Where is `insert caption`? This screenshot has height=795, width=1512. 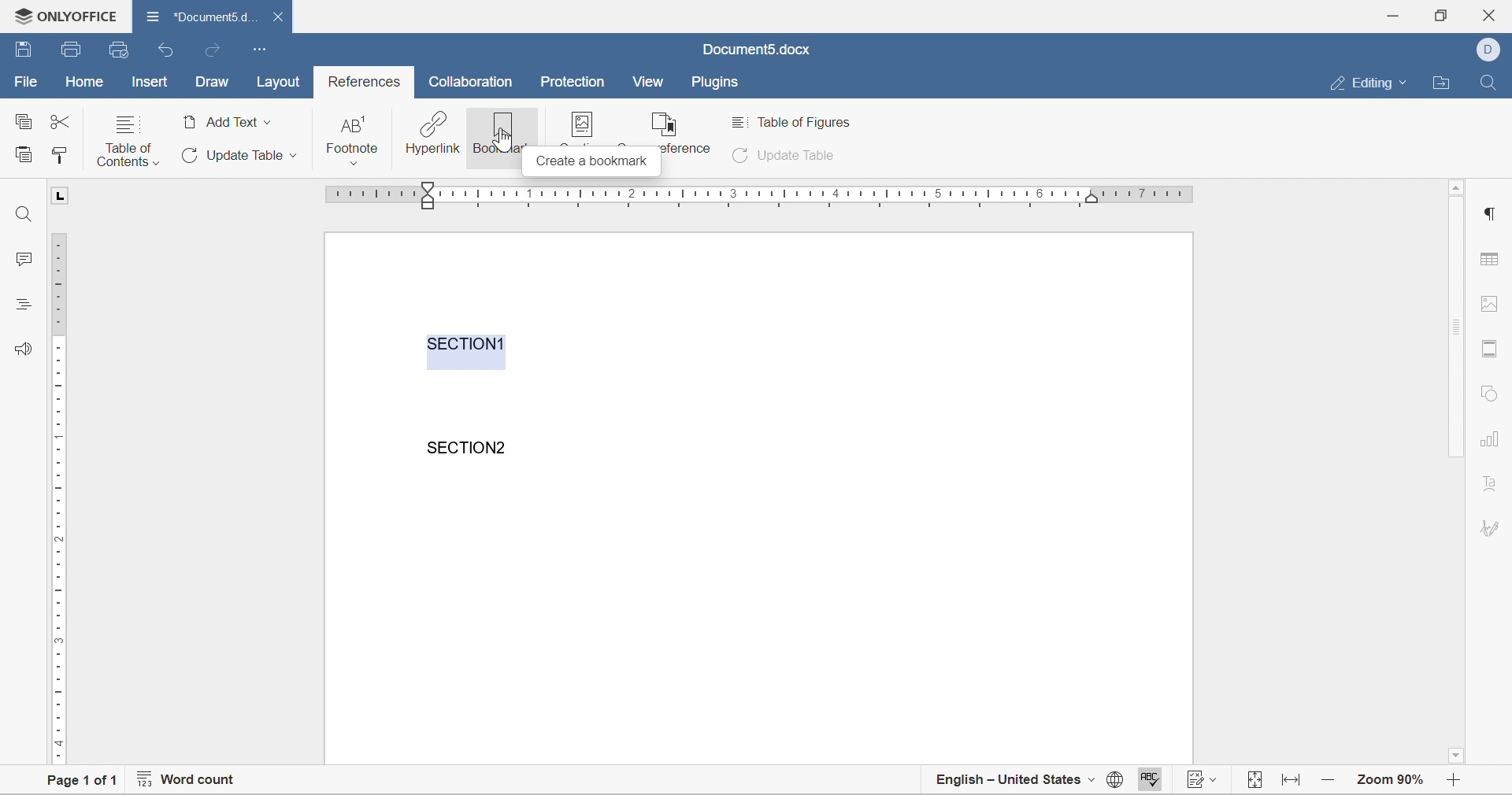 insert caption is located at coordinates (591, 128).